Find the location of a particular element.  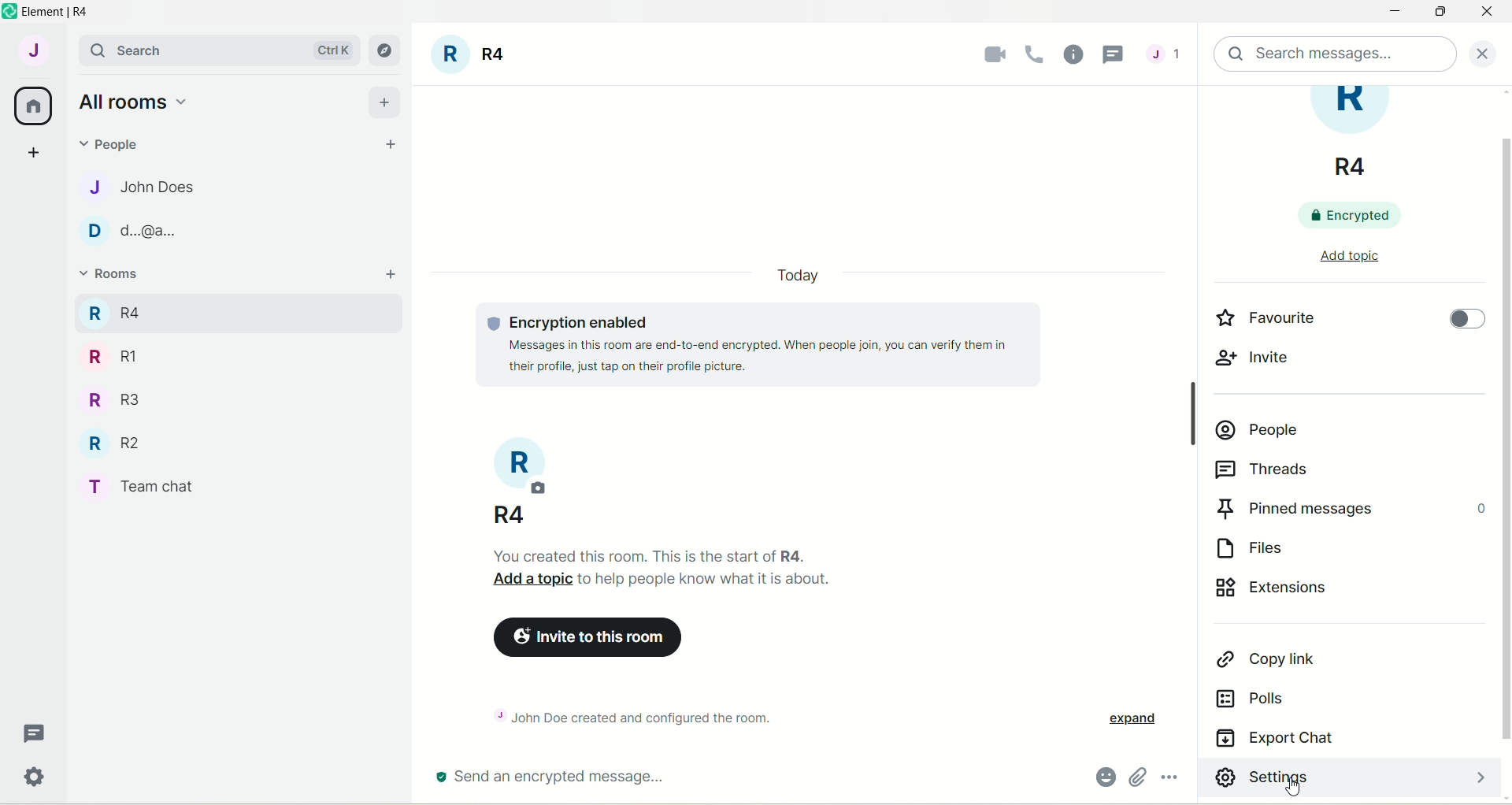

element is located at coordinates (62, 12).